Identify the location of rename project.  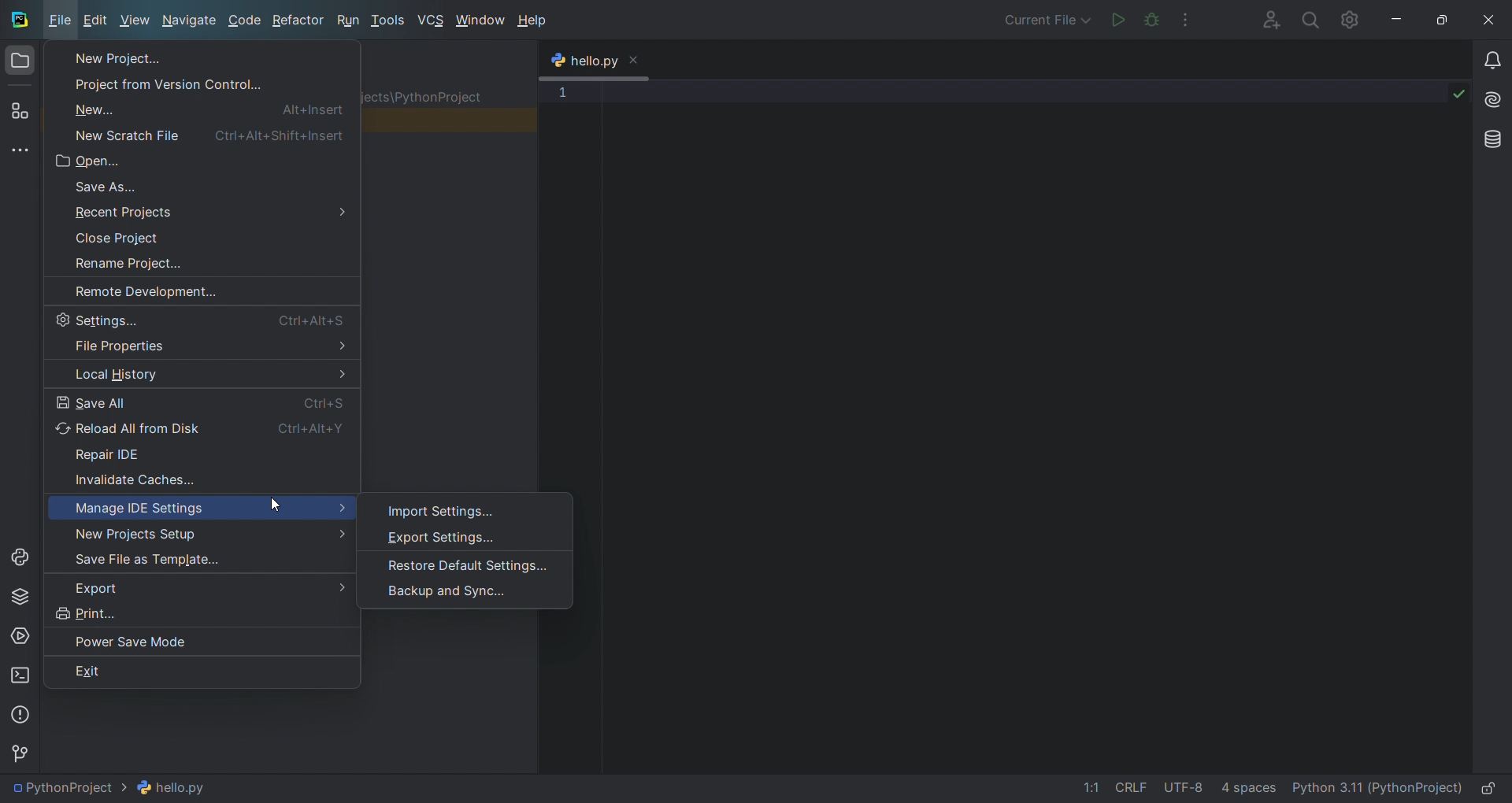
(202, 260).